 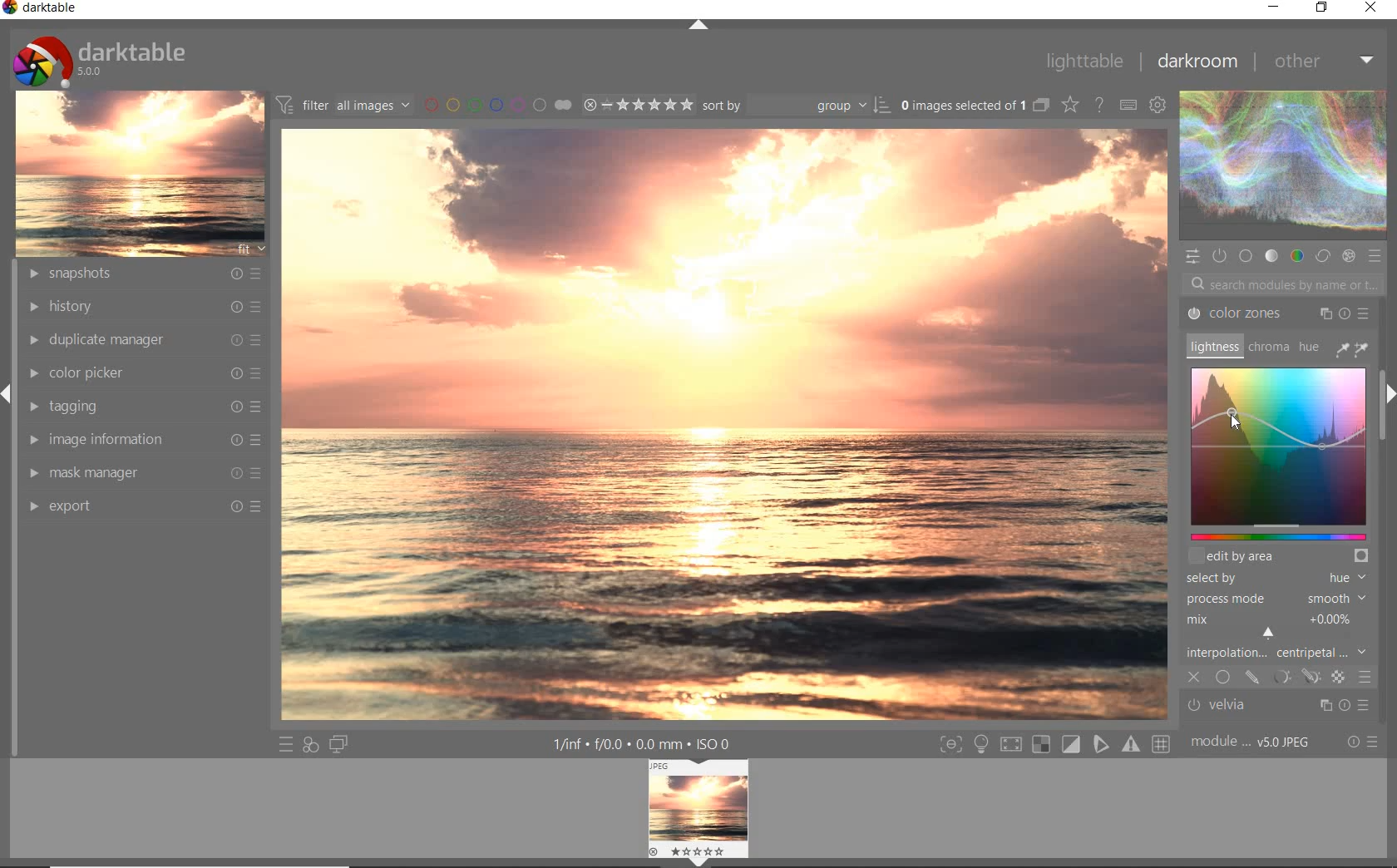 I want to click on lighttable, so click(x=1083, y=61).